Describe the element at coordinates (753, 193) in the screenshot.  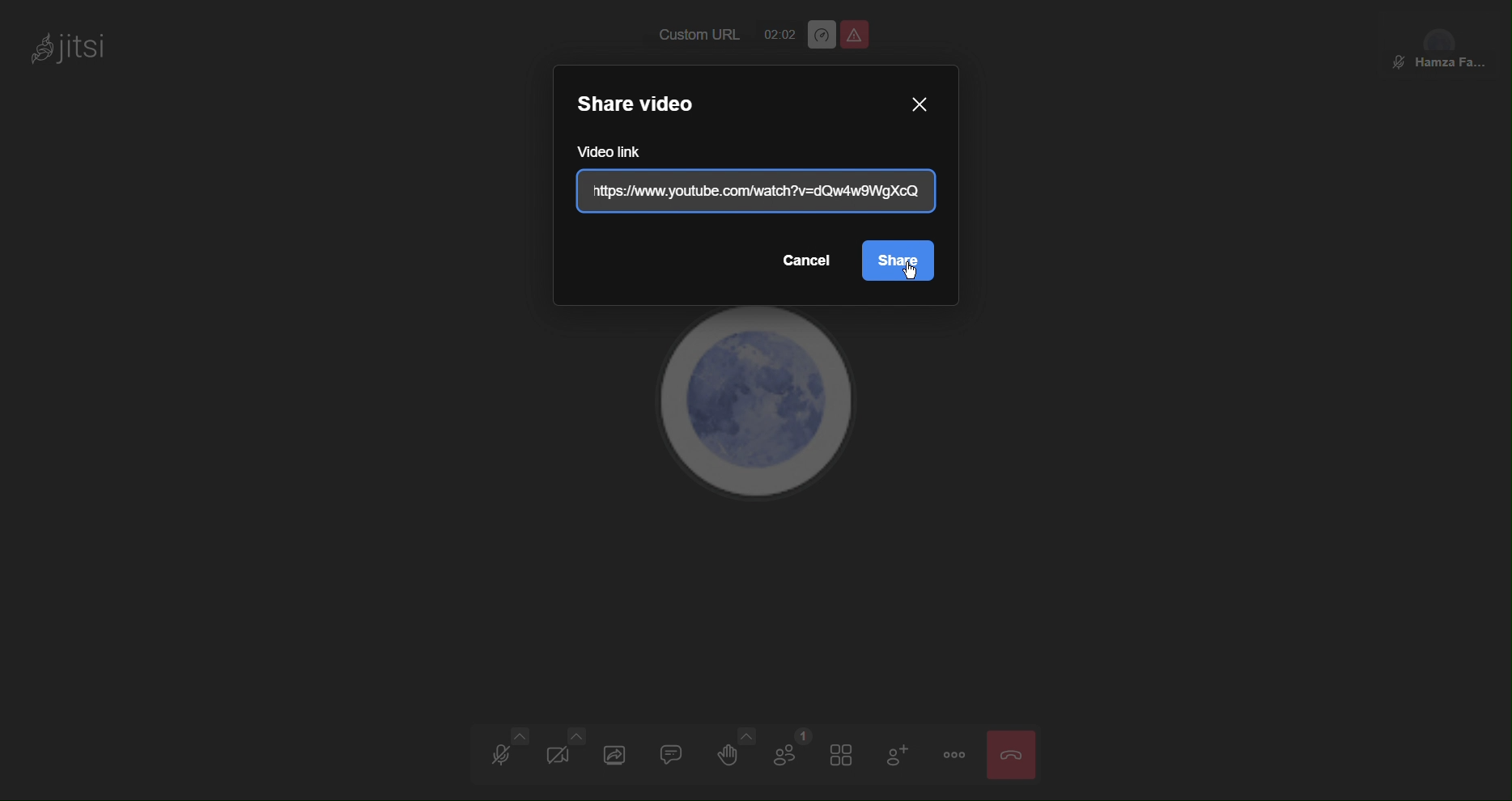
I see `Video link` at that location.